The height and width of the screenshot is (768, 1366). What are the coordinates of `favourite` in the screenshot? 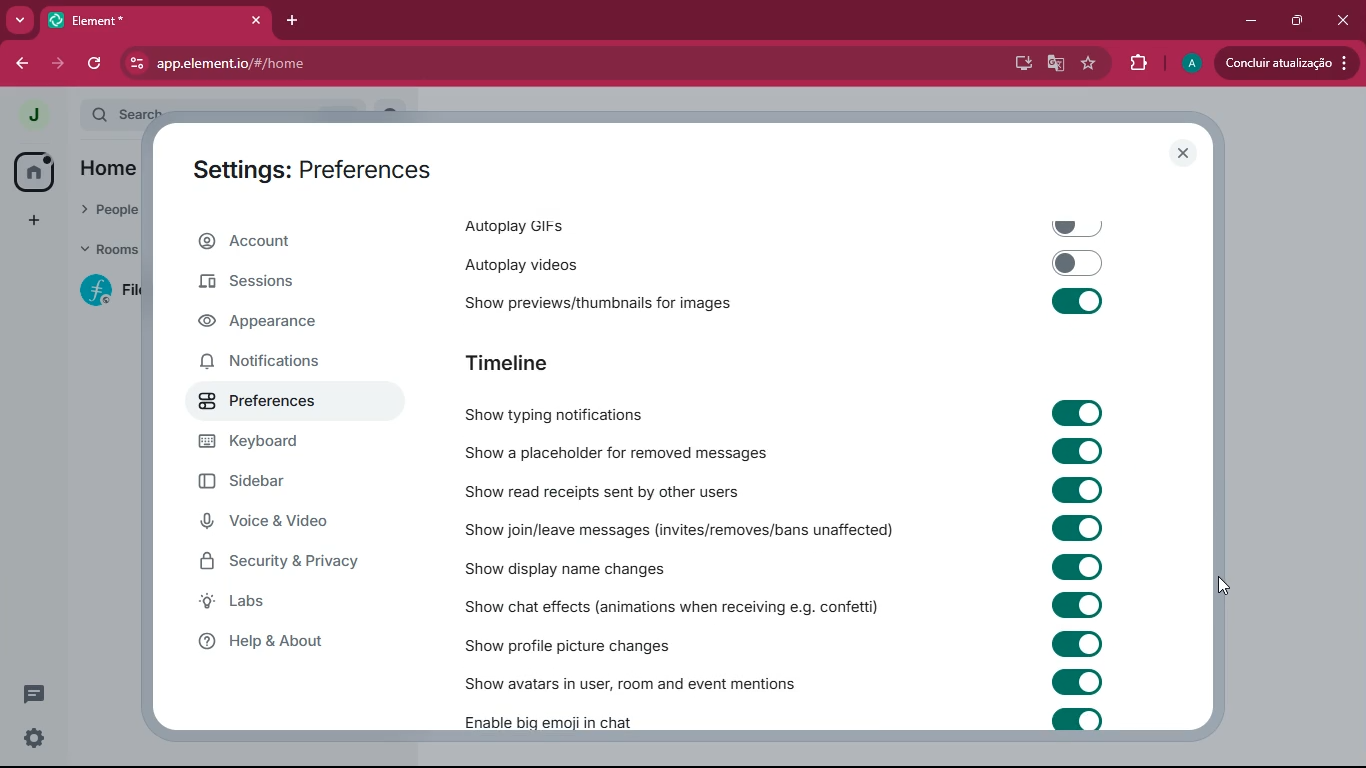 It's located at (1087, 65).